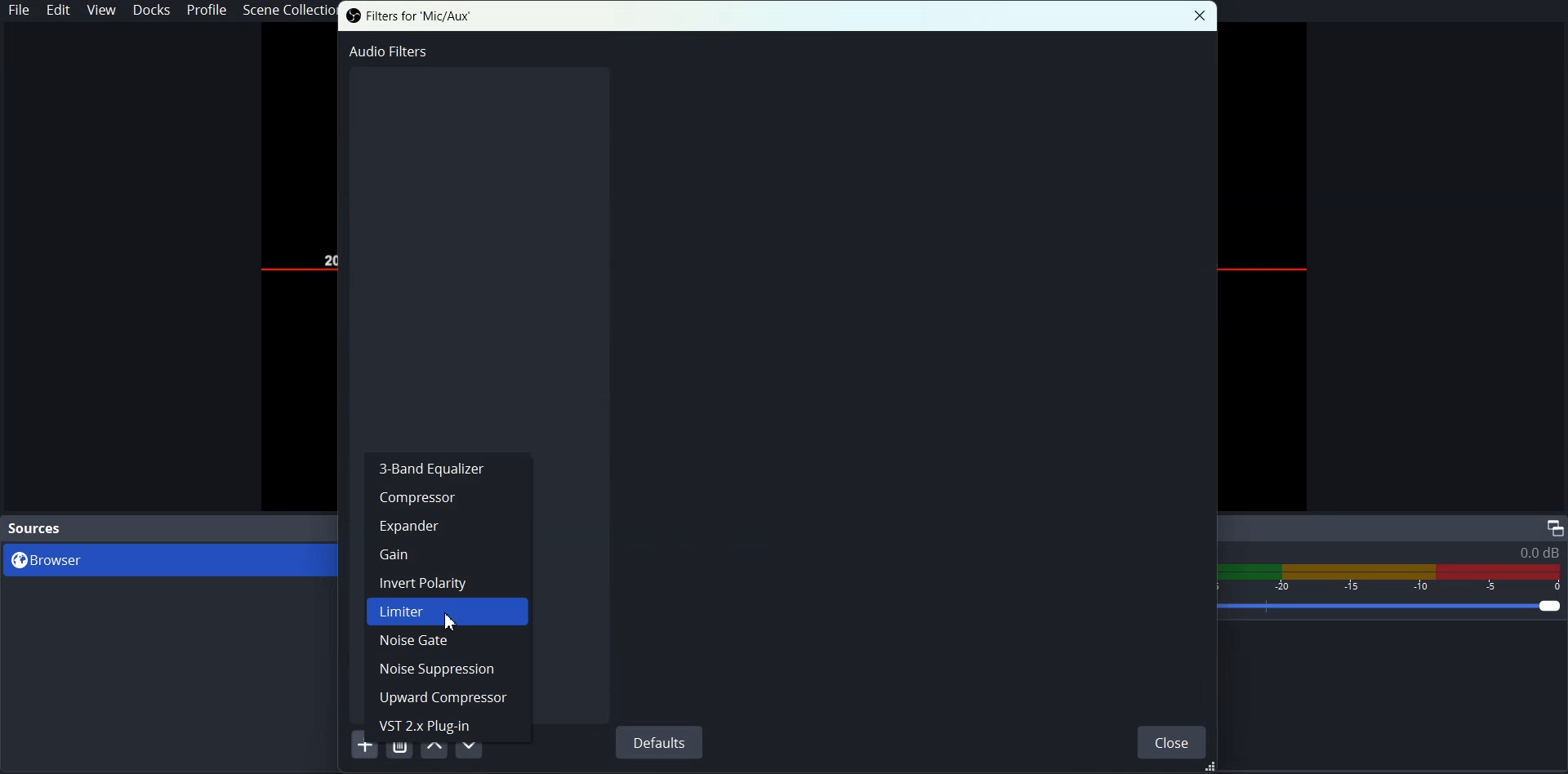 This screenshot has height=774, width=1568. Describe the element at coordinates (448, 527) in the screenshot. I see `Expander` at that location.